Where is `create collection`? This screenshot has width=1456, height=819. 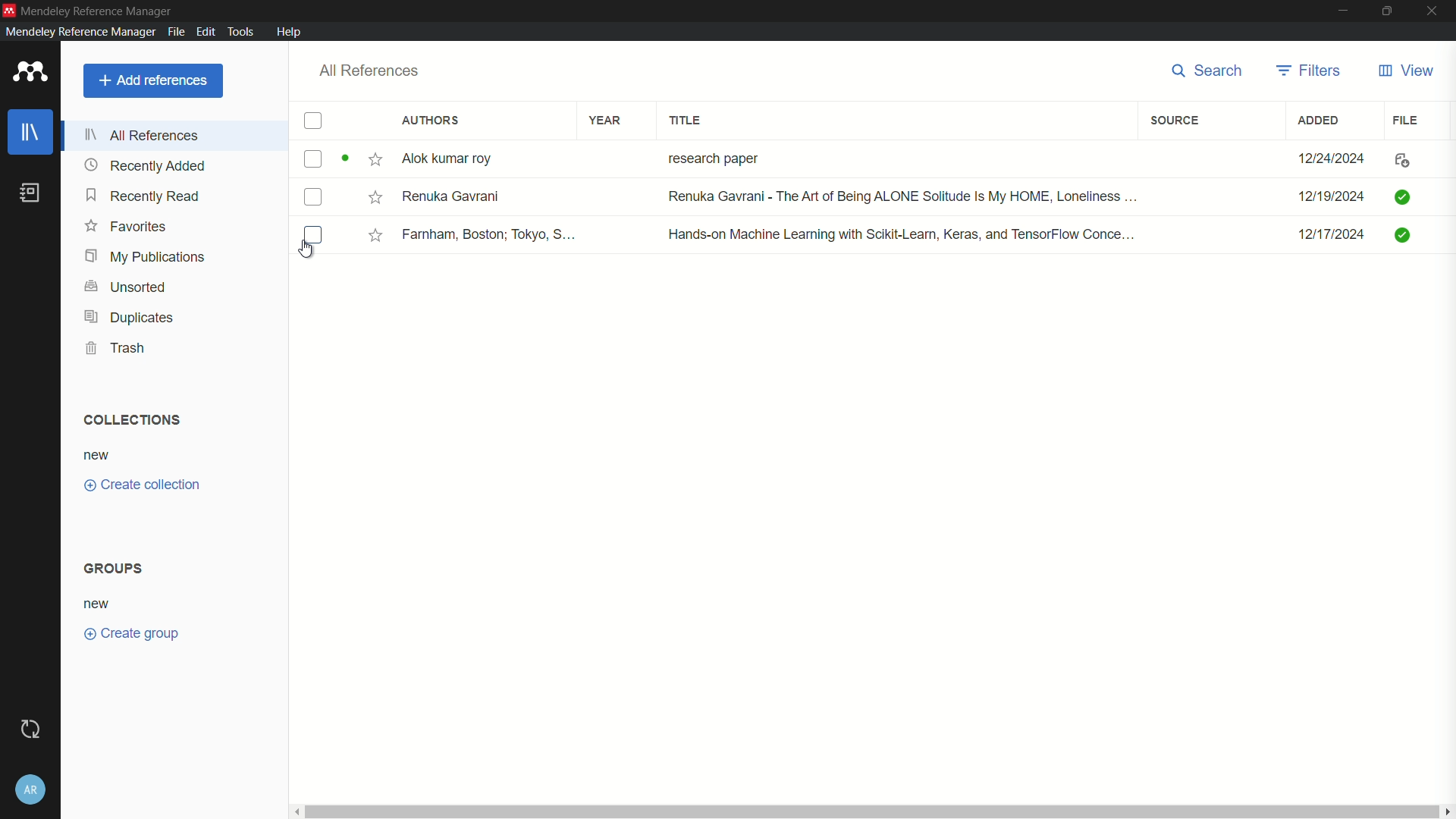
create collection is located at coordinates (140, 485).